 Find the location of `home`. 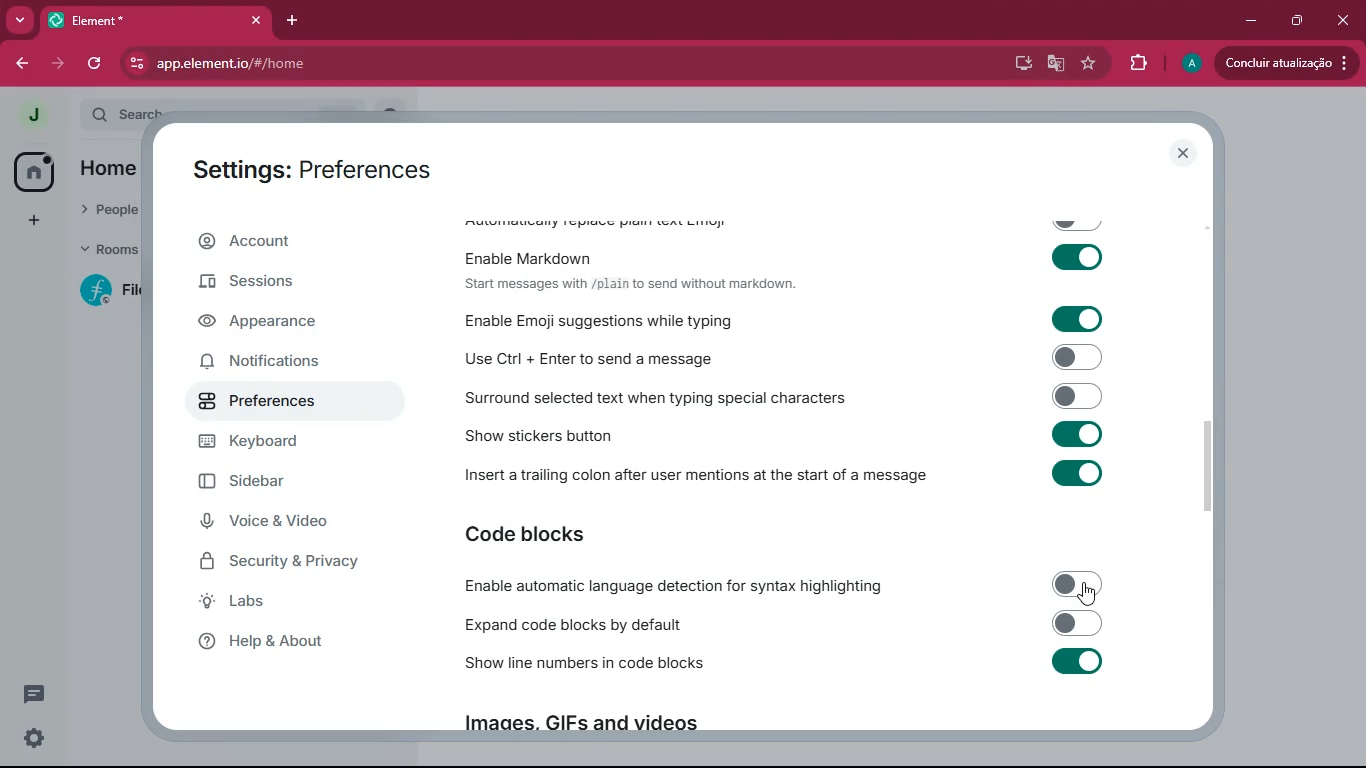

home is located at coordinates (108, 170).